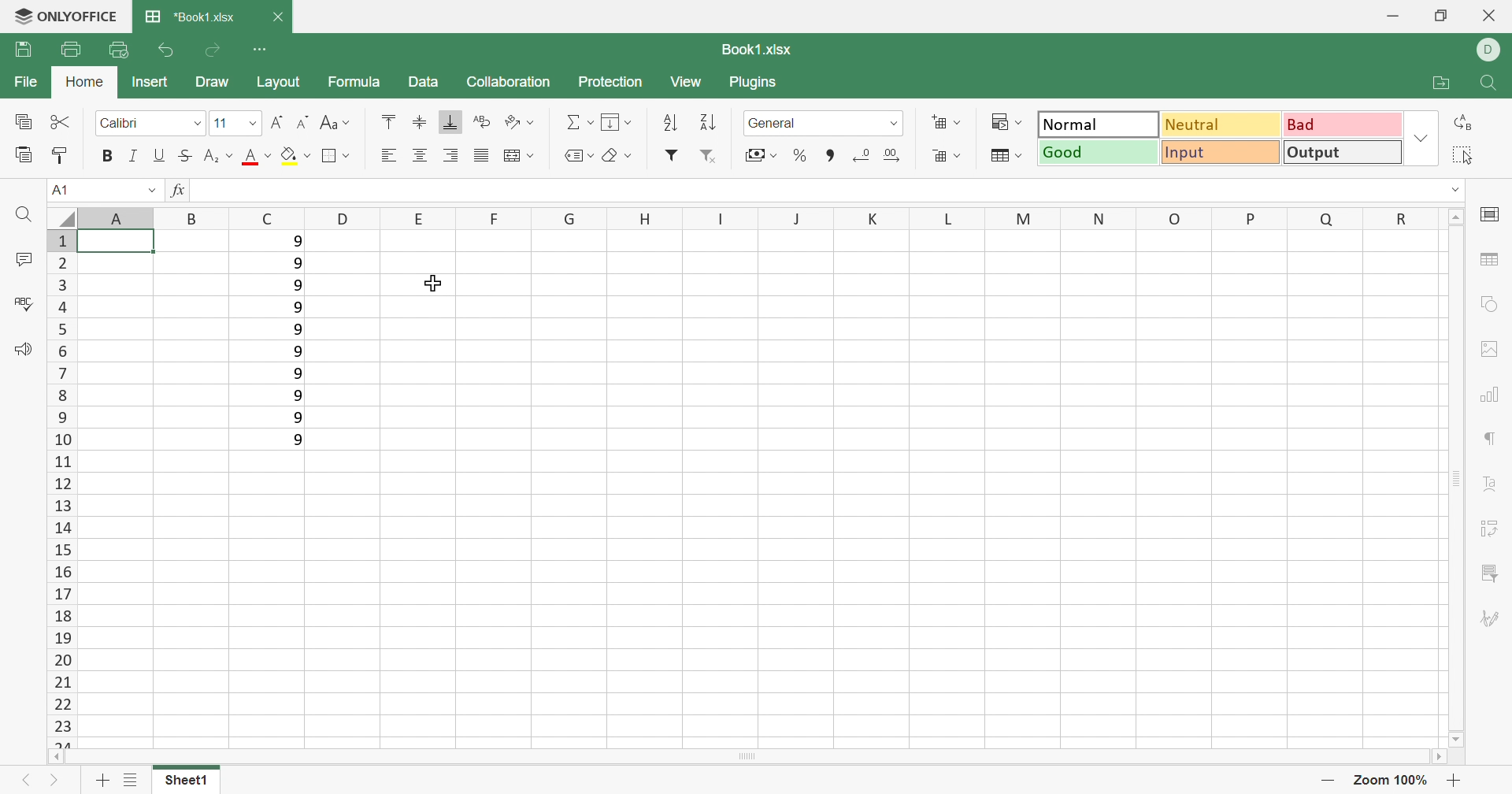 This screenshot has height=794, width=1512. What do you see at coordinates (691, 85) in the screenshot?
I see `View` at bounding box center [691, 85].